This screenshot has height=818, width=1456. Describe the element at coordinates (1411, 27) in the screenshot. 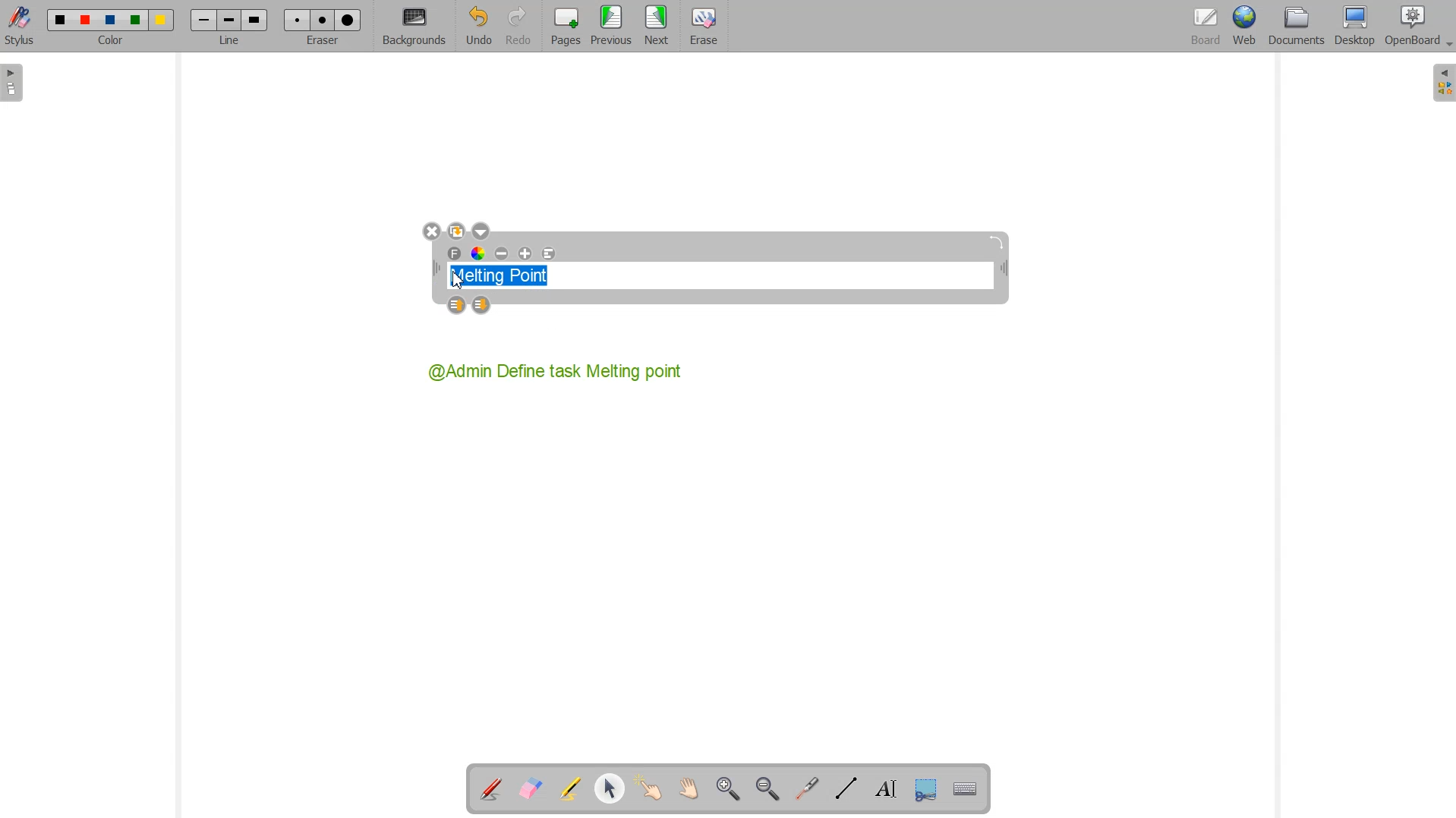

I see `OpenBoard` at that location.